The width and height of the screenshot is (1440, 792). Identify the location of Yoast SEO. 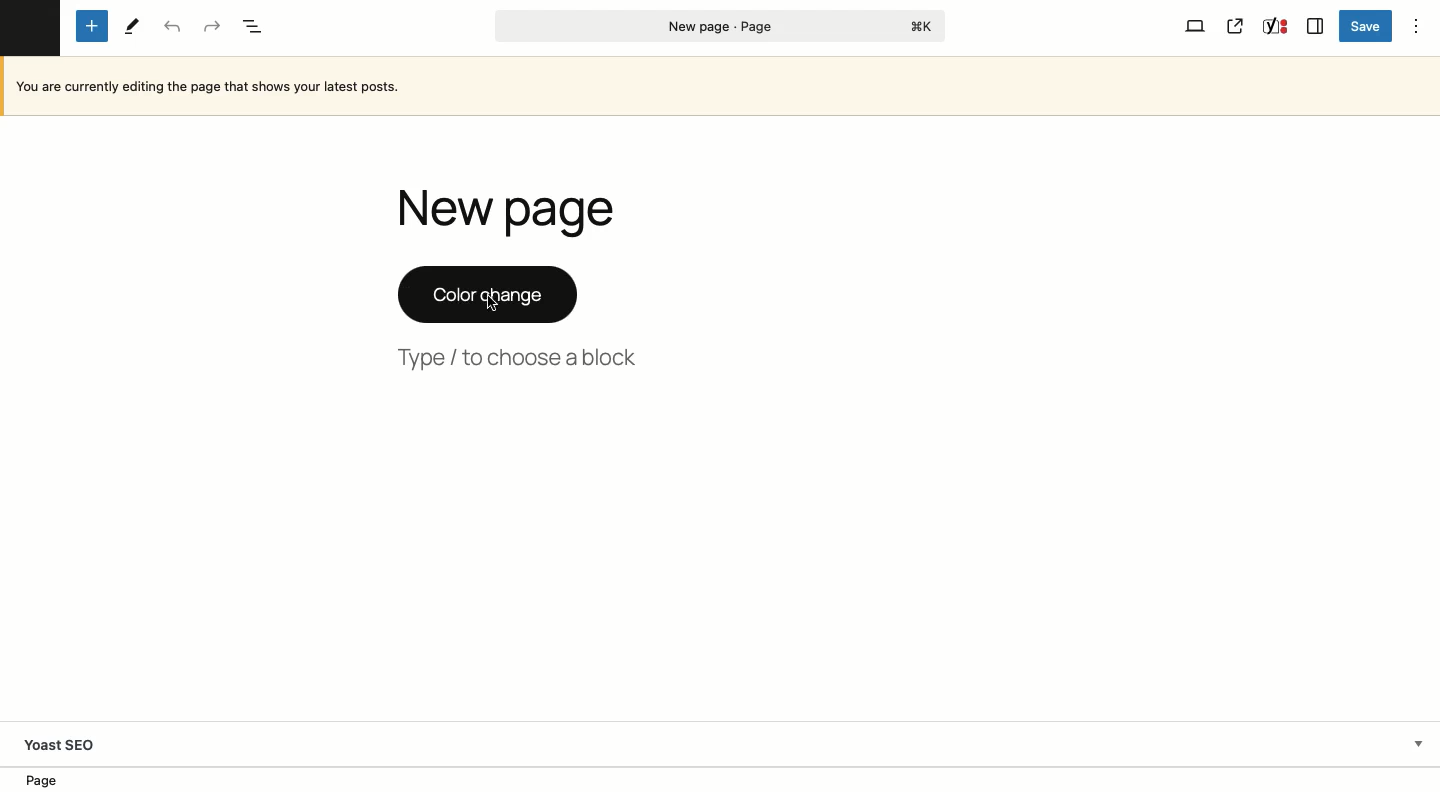
(720, 741).